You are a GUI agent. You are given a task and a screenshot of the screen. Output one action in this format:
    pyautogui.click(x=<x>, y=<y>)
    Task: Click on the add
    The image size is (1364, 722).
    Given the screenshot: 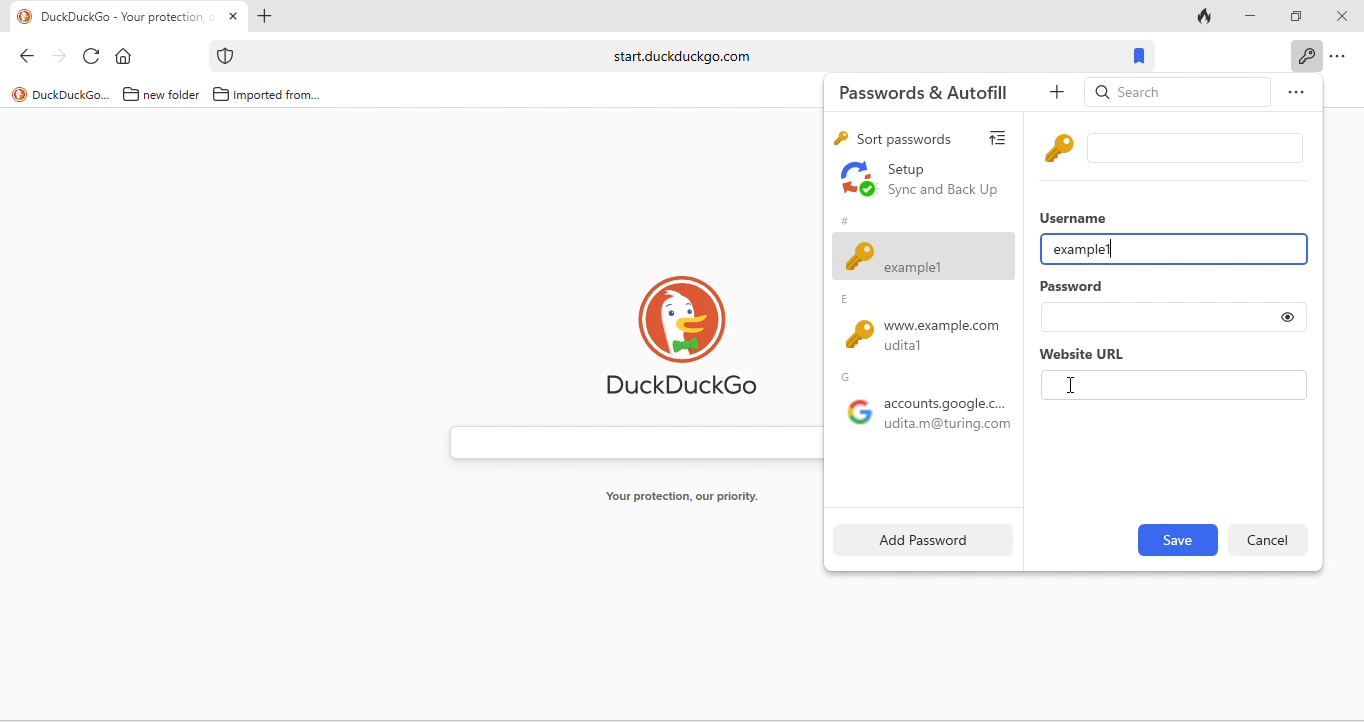 What is the action you would take?
    pyautogui.click(x=1060, y=93)
    